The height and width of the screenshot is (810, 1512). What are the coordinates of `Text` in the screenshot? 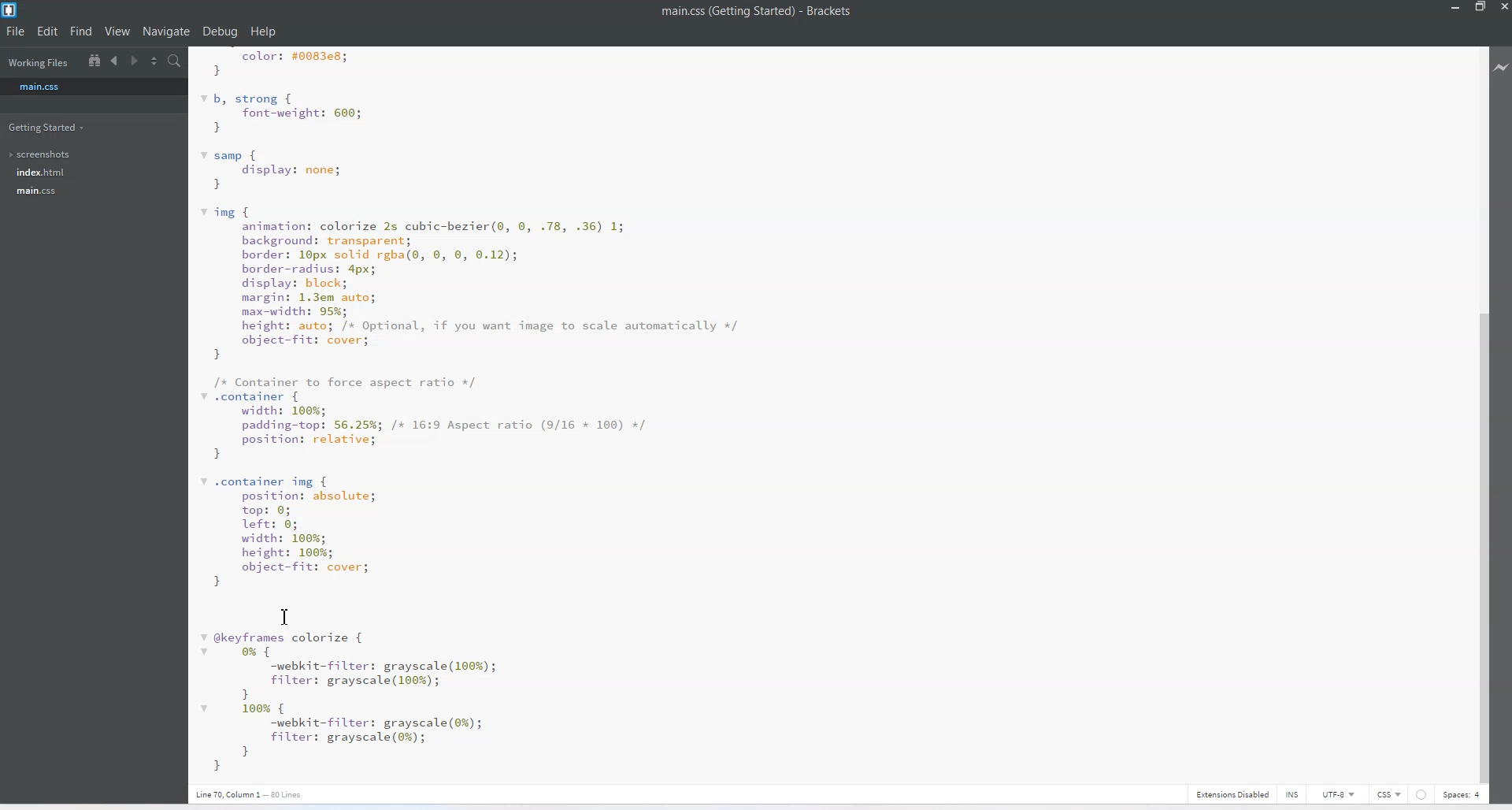 It's located at (770, 11).